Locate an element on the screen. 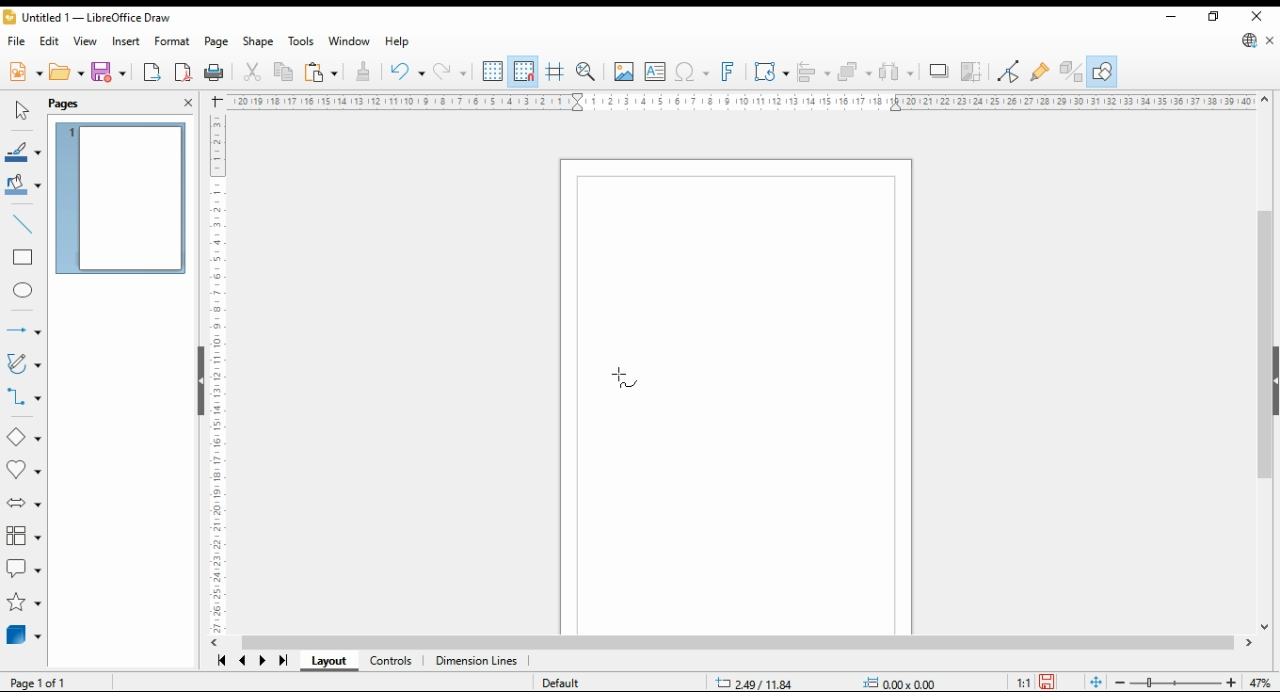 The height and width of the screenshot is (692, 1280). crop image is located at coordinates (972, 71).